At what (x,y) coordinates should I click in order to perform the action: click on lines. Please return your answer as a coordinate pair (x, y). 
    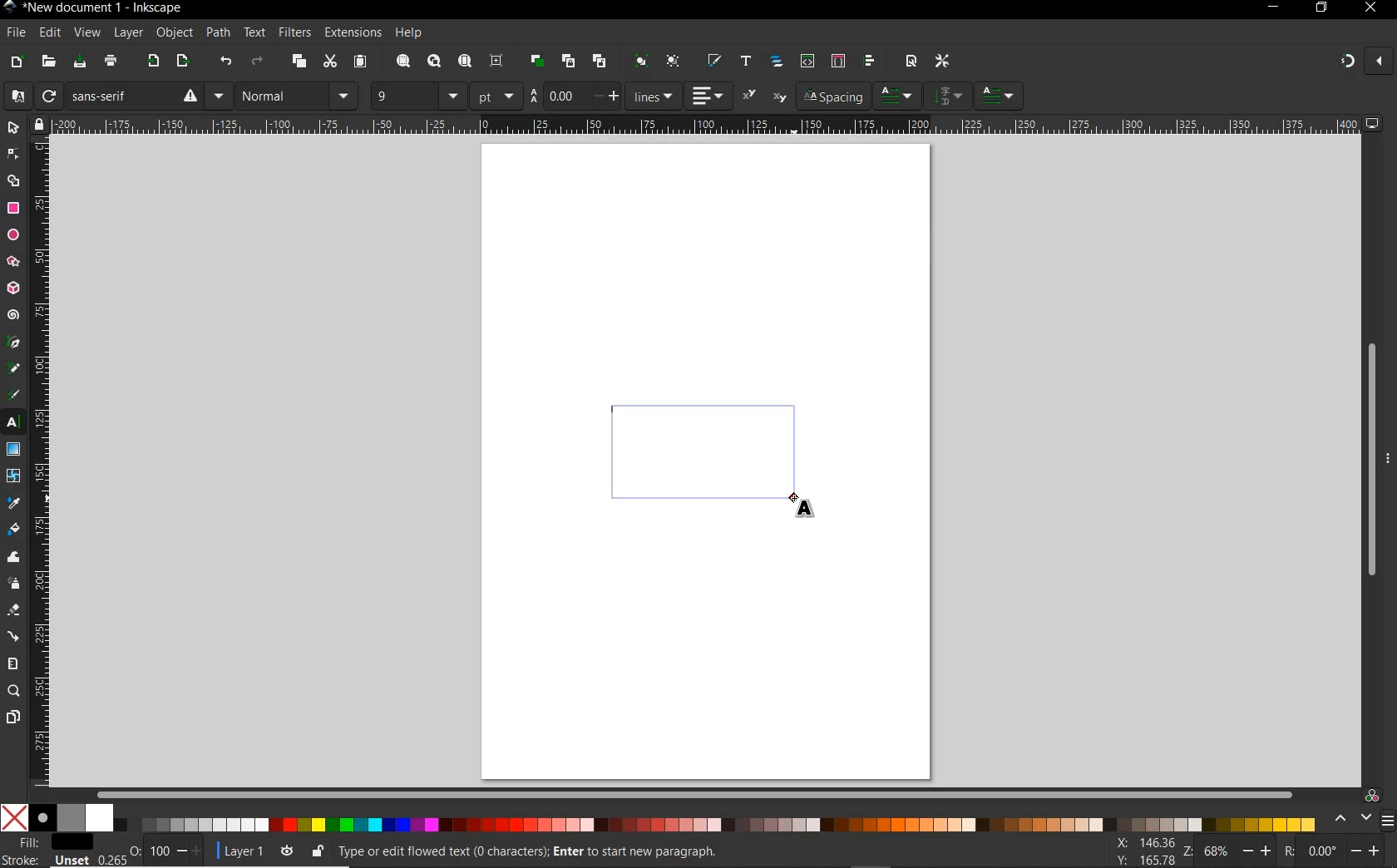
    Looking at the image, I should click on (654, 96).